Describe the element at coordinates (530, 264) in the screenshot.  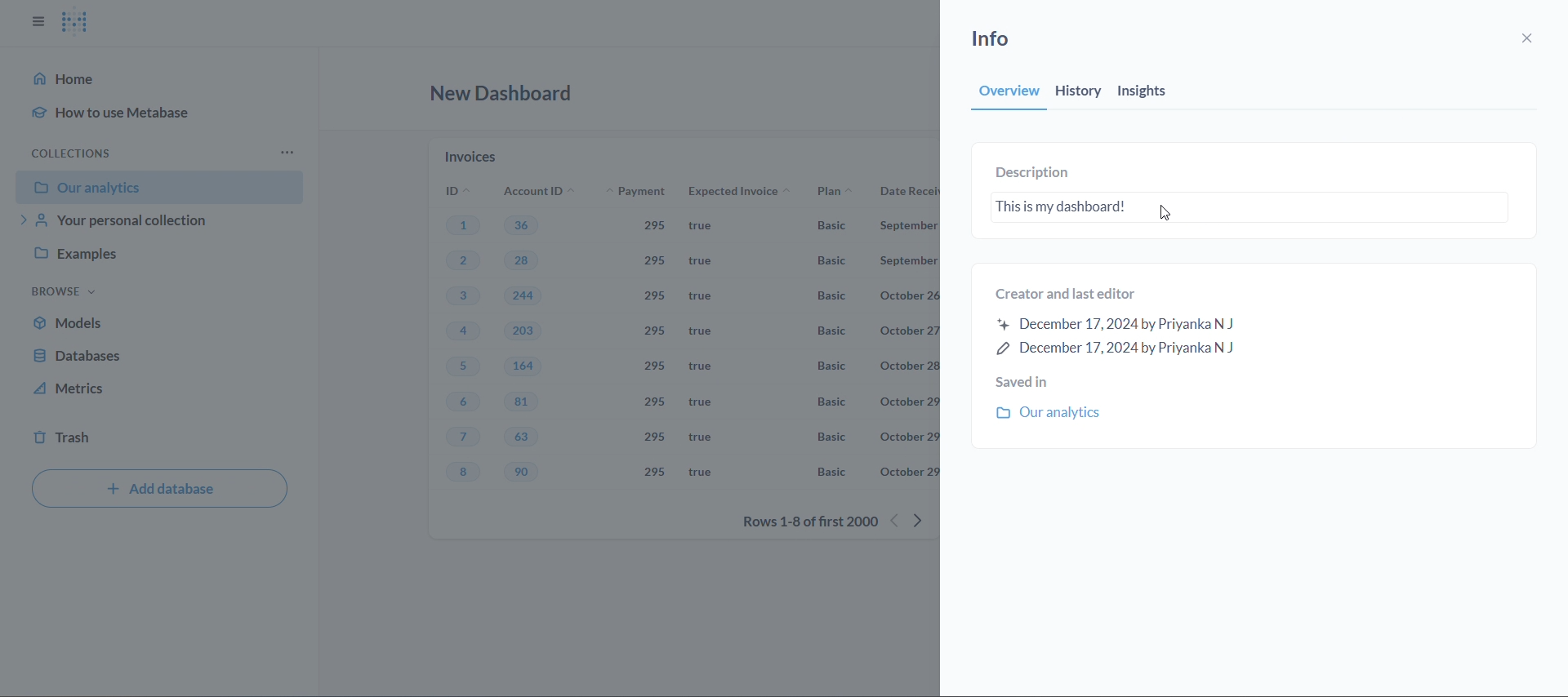
I see `28` at that location.